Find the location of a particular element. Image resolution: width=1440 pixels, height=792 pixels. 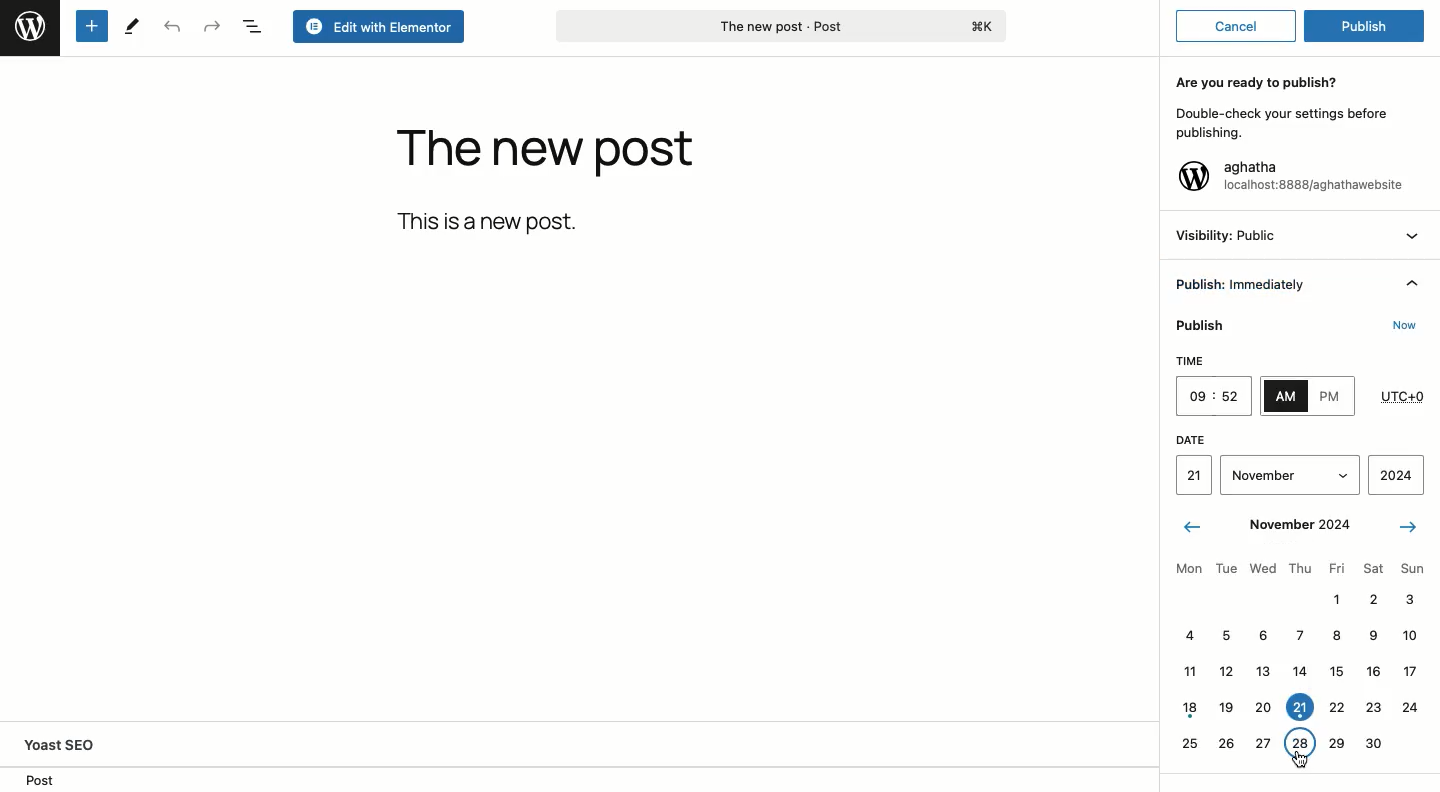

12 is located at coordinates (1225, 673).